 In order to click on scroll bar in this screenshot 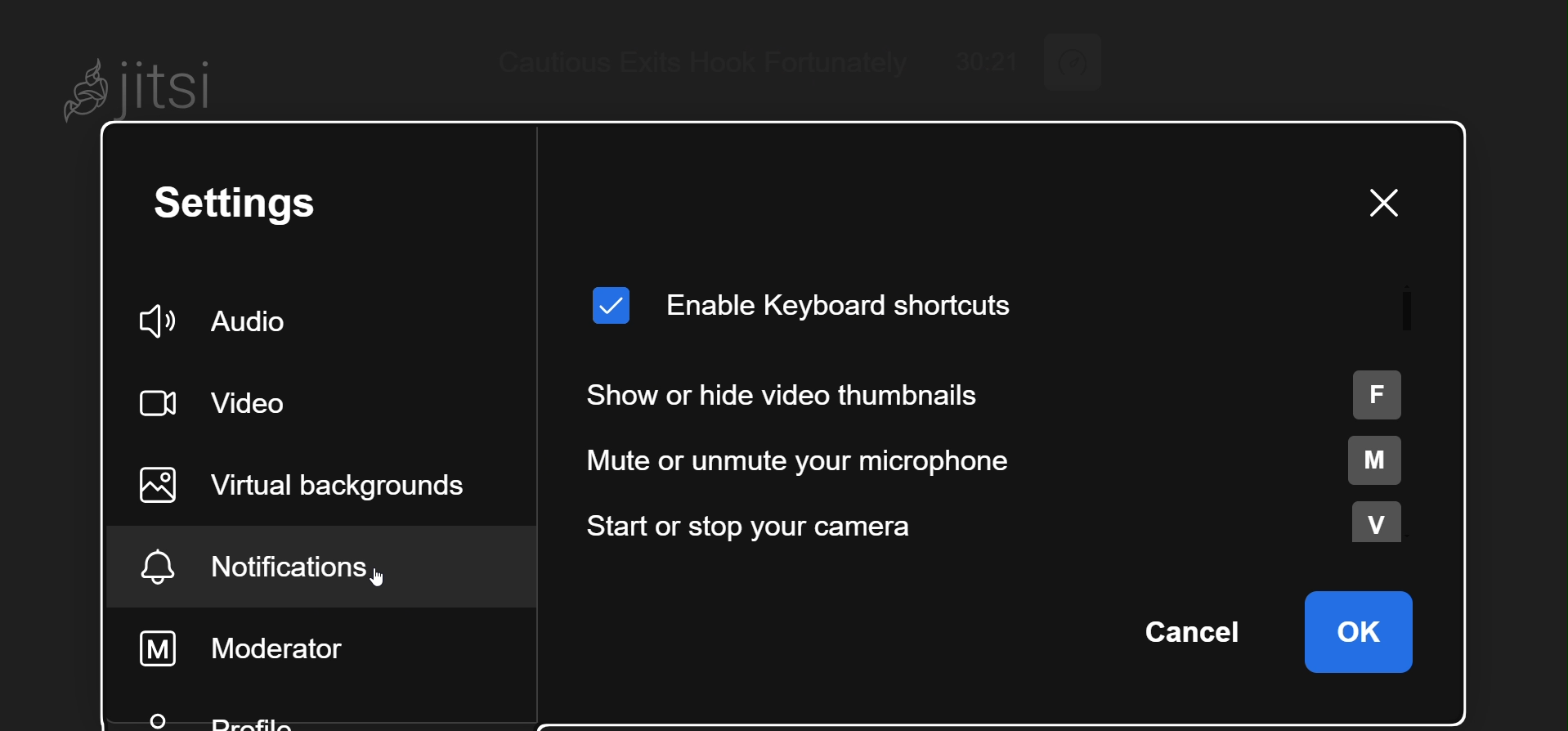, I will do `click(1409, 309)`.